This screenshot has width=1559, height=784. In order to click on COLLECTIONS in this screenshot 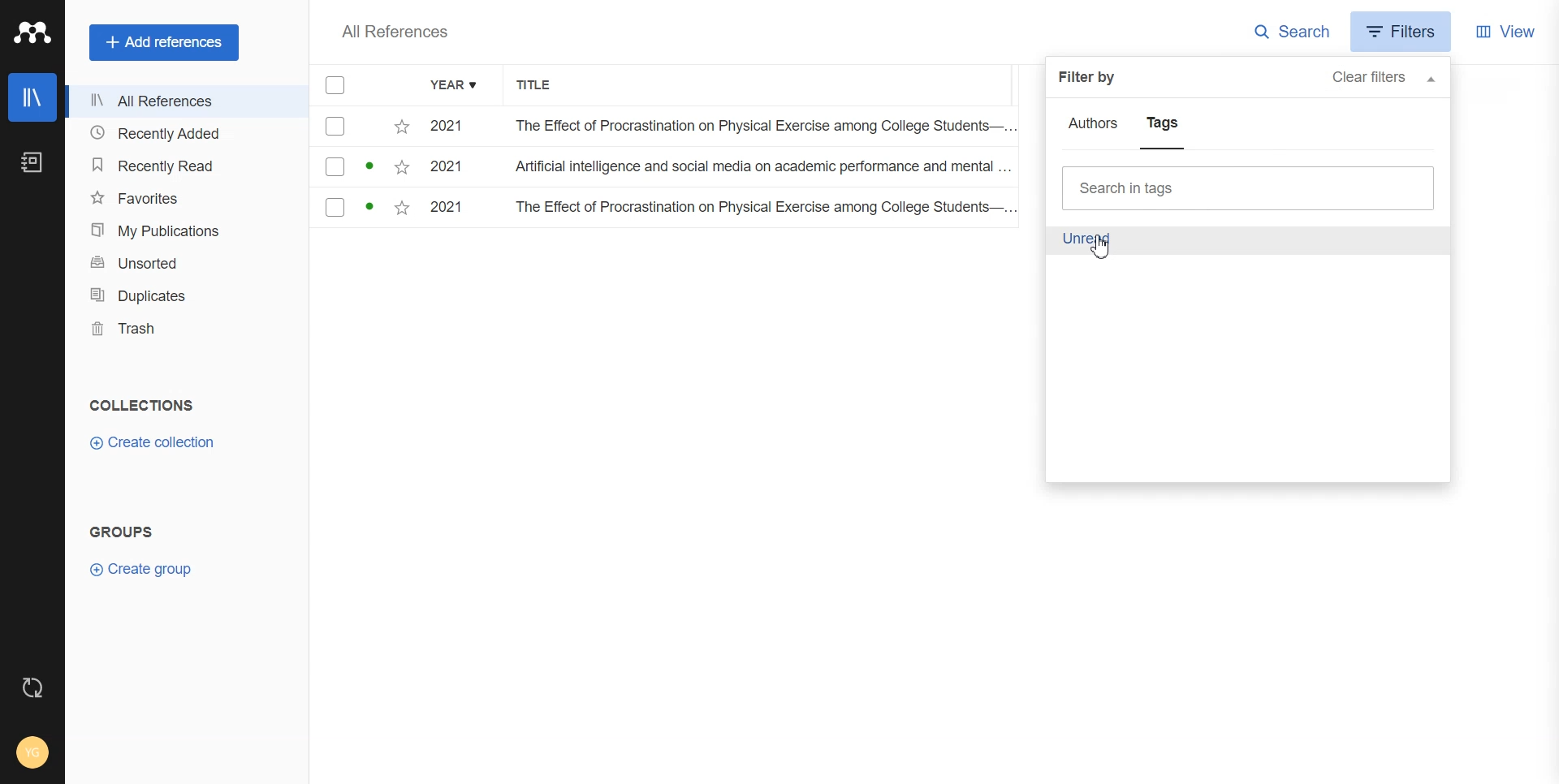, I will do `click(145, 405)`.